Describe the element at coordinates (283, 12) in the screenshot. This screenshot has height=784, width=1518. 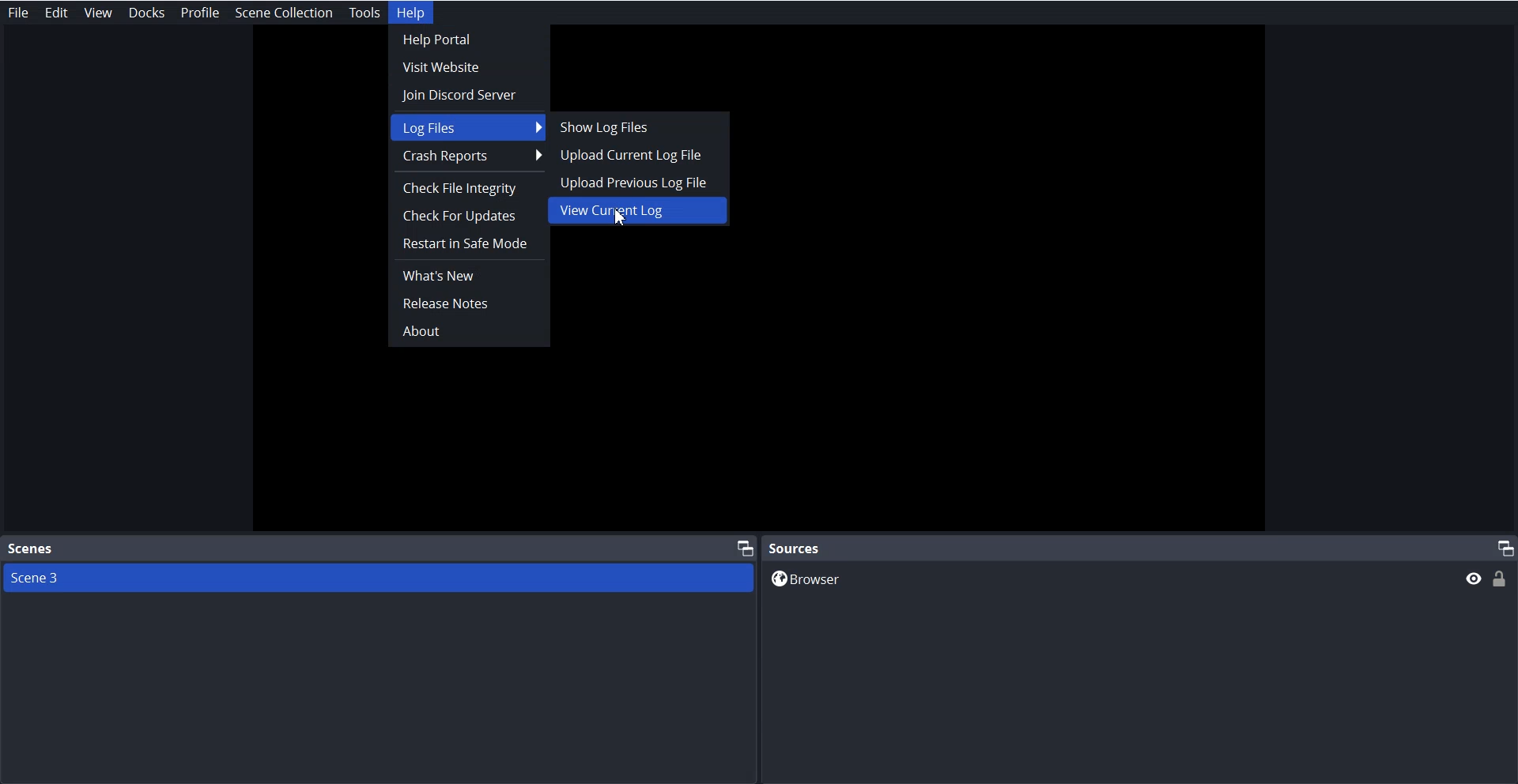
I see `Scene collection` at that location.